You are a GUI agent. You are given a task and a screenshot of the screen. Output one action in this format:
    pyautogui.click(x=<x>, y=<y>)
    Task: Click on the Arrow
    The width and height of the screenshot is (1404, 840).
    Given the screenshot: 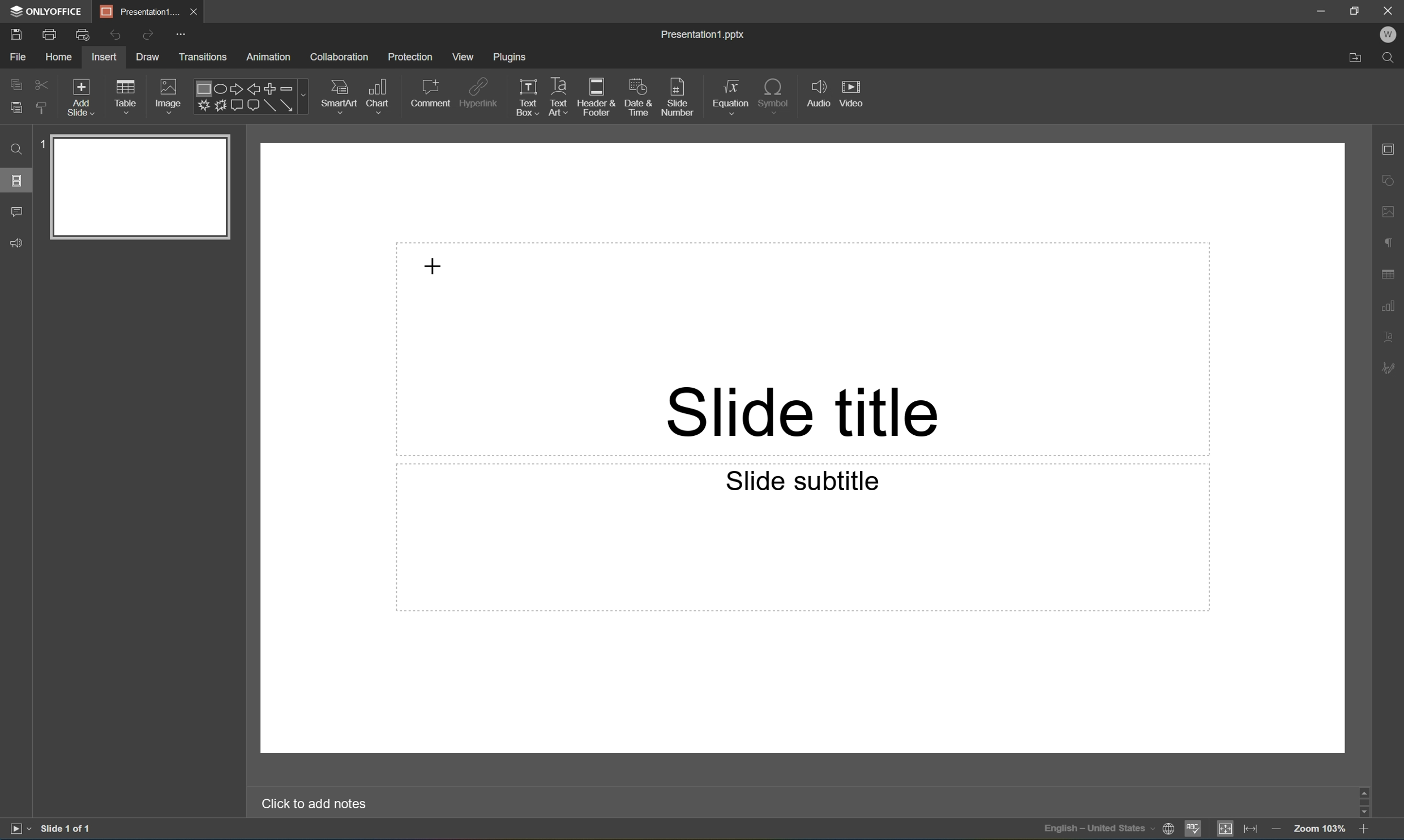 What is the action you would take?
    pyautogui.click(x=287, y=105)
    